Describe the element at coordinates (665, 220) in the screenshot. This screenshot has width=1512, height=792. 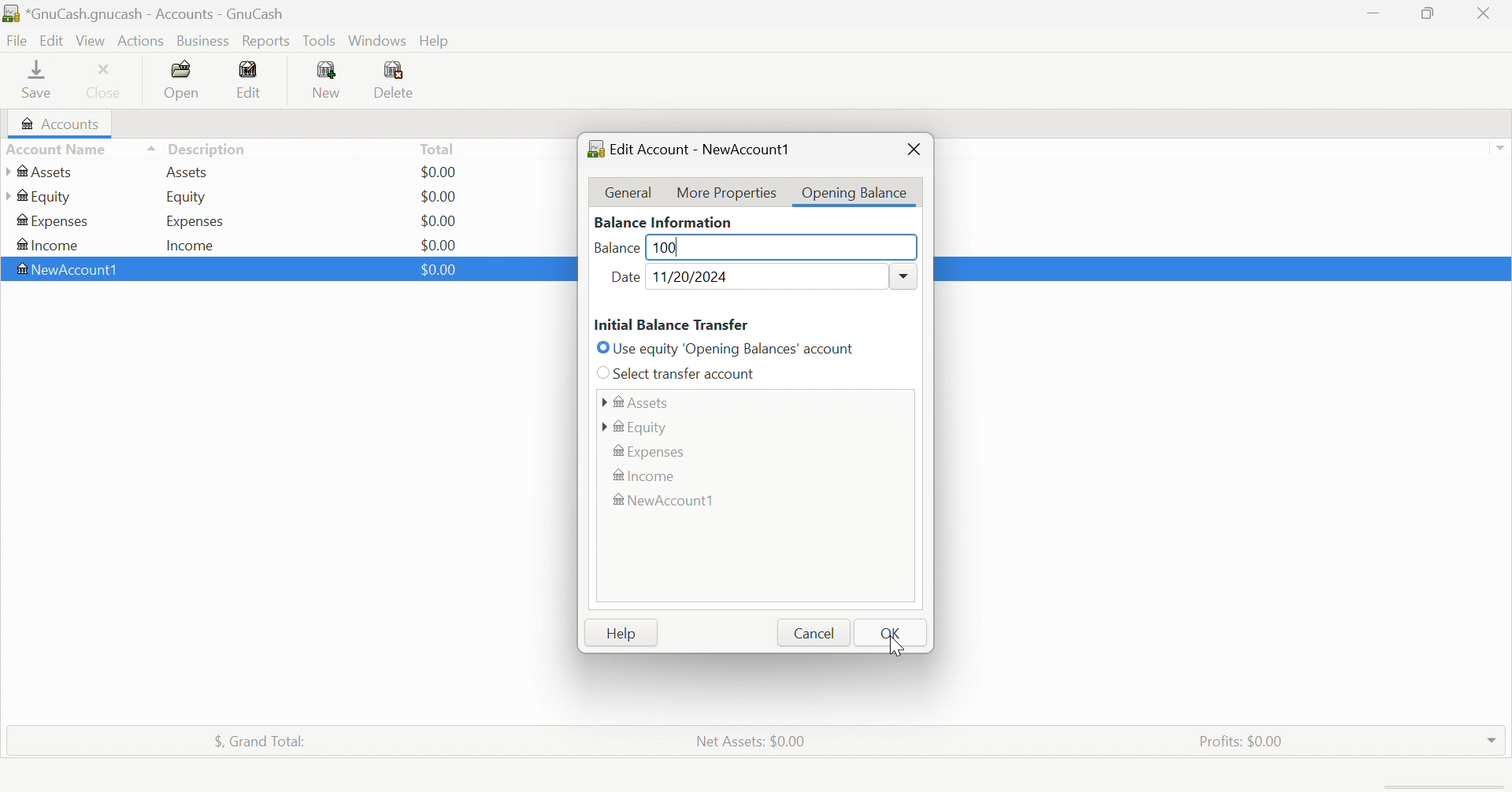
I see `Balance Information` at that location.